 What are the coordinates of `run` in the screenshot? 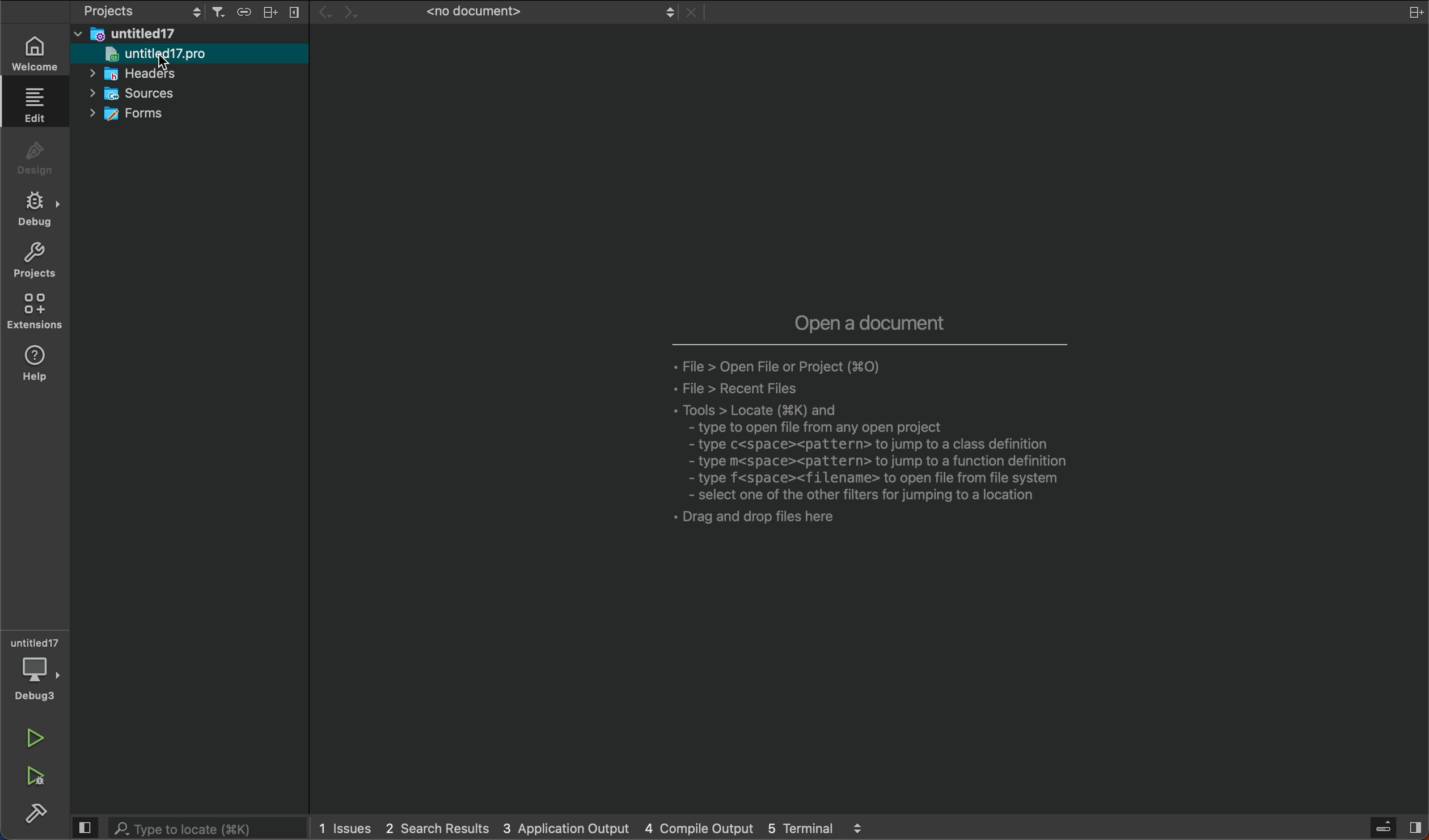 It's located at (33, 734).